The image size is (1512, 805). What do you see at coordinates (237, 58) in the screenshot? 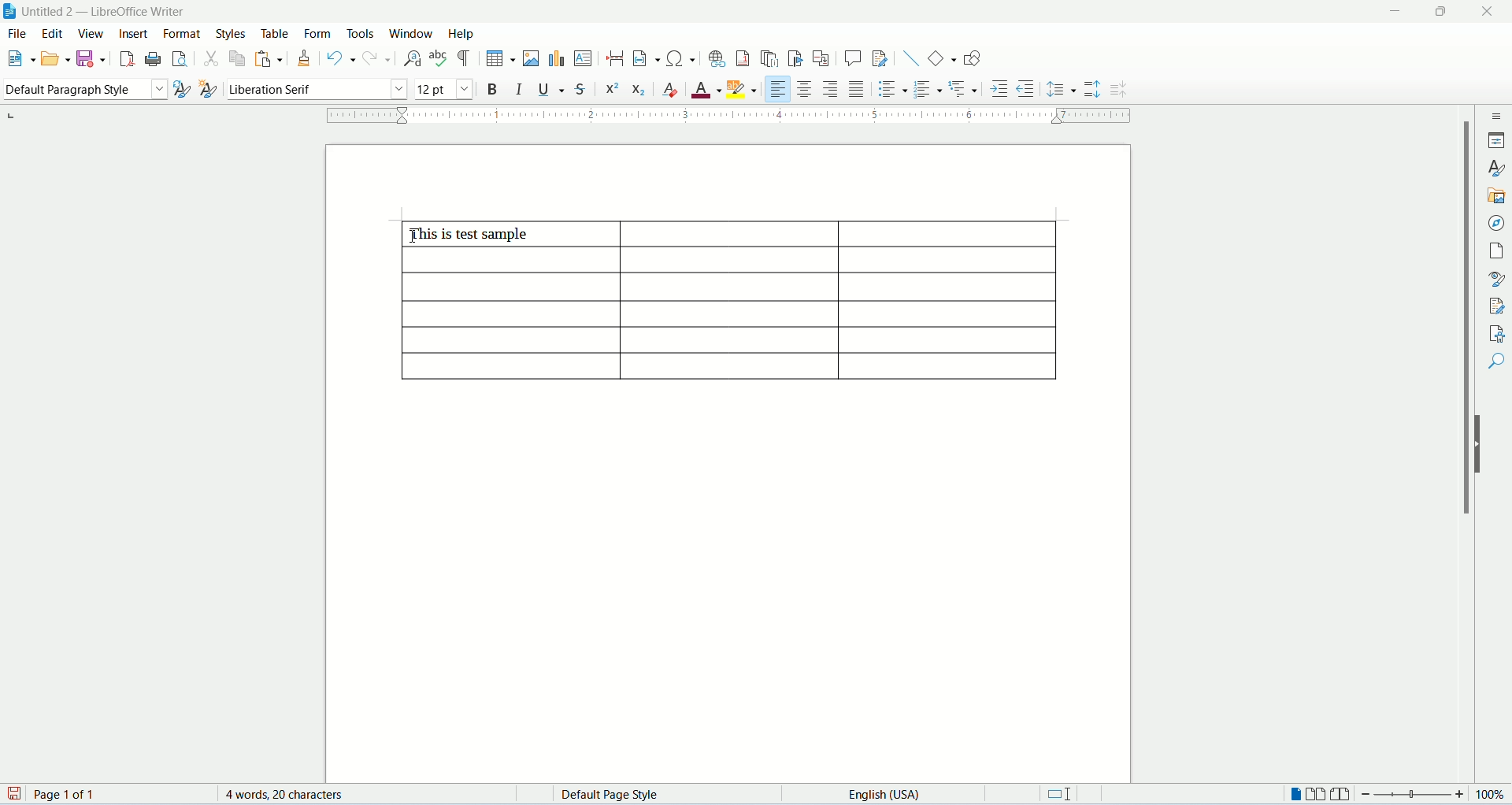
I see `copy` at bounding box center [237, 58].